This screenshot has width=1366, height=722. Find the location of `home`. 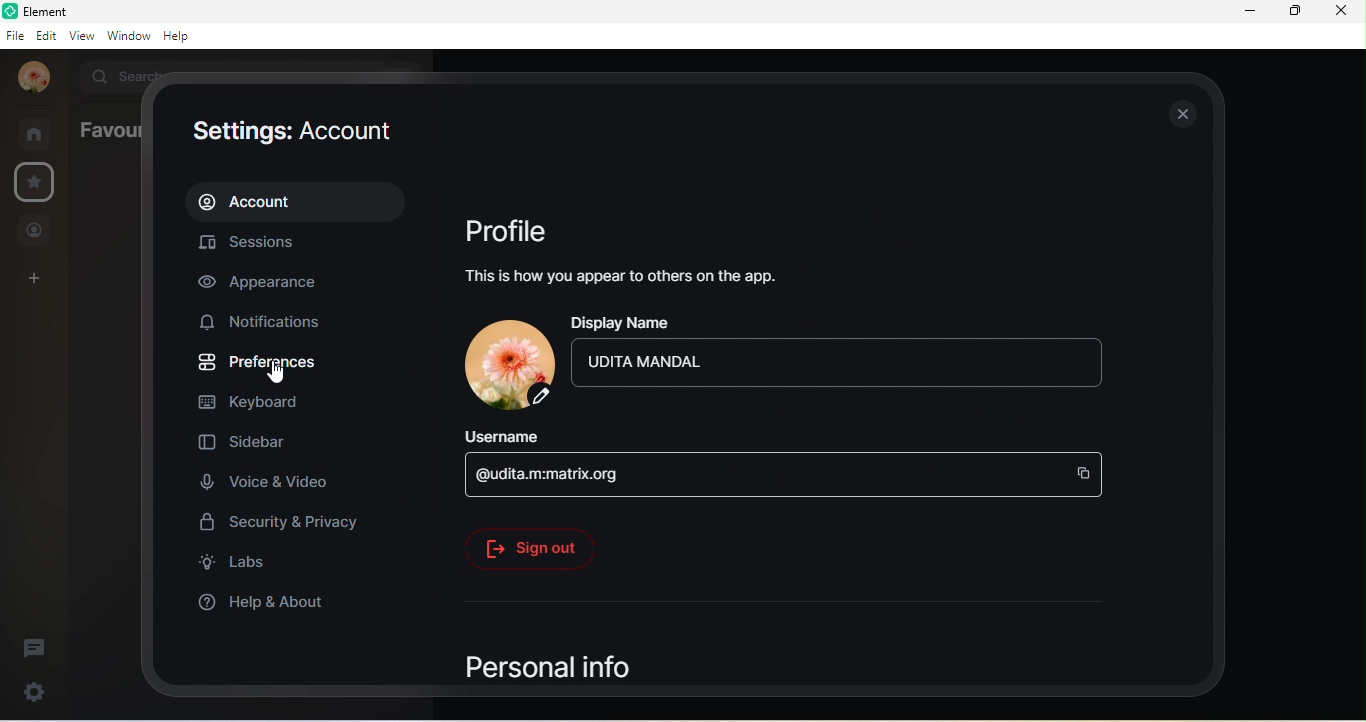

home is located at coordinates (36, 133).